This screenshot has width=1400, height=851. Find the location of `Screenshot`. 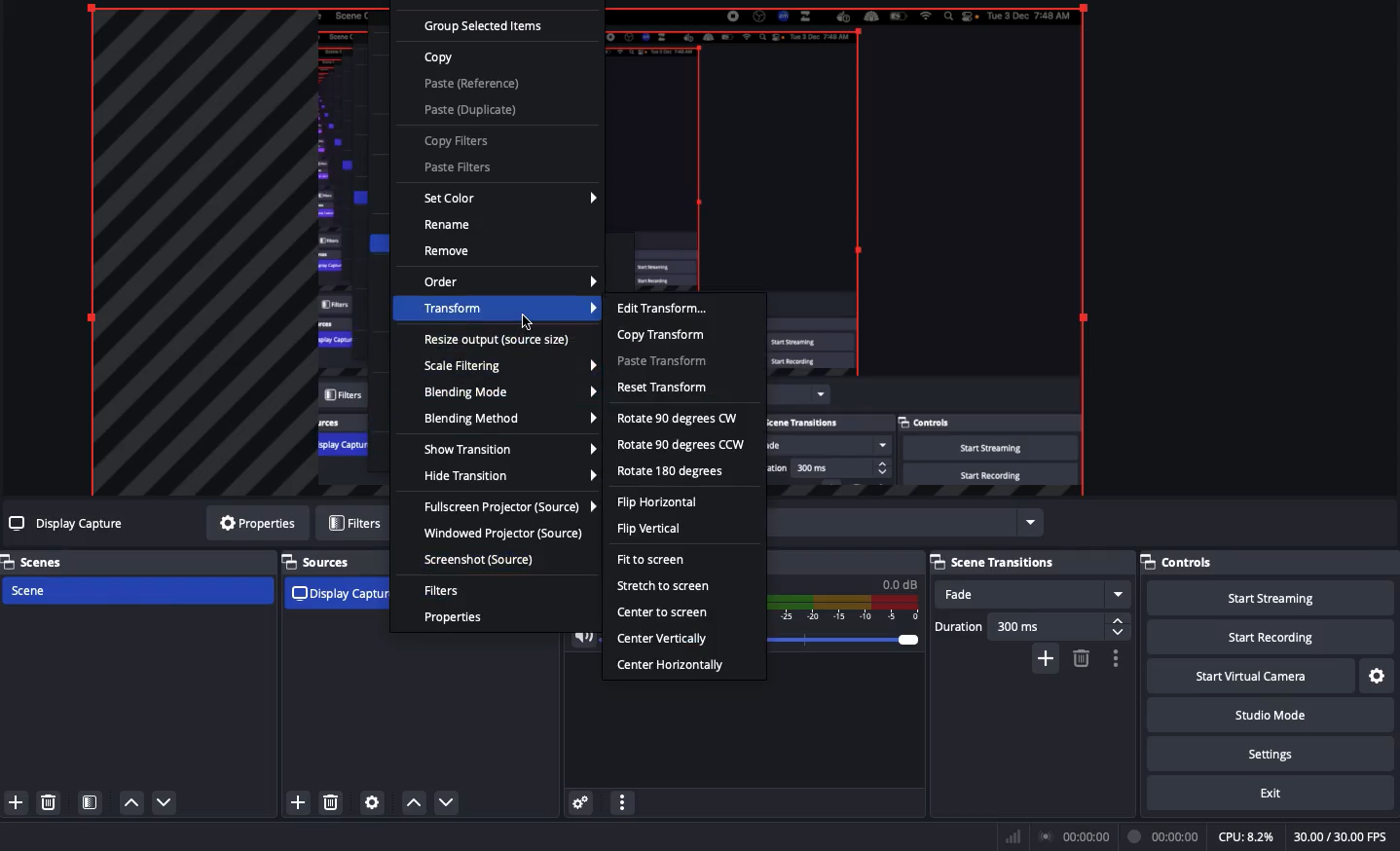

Screenshot is located at coordinates (481, 560).